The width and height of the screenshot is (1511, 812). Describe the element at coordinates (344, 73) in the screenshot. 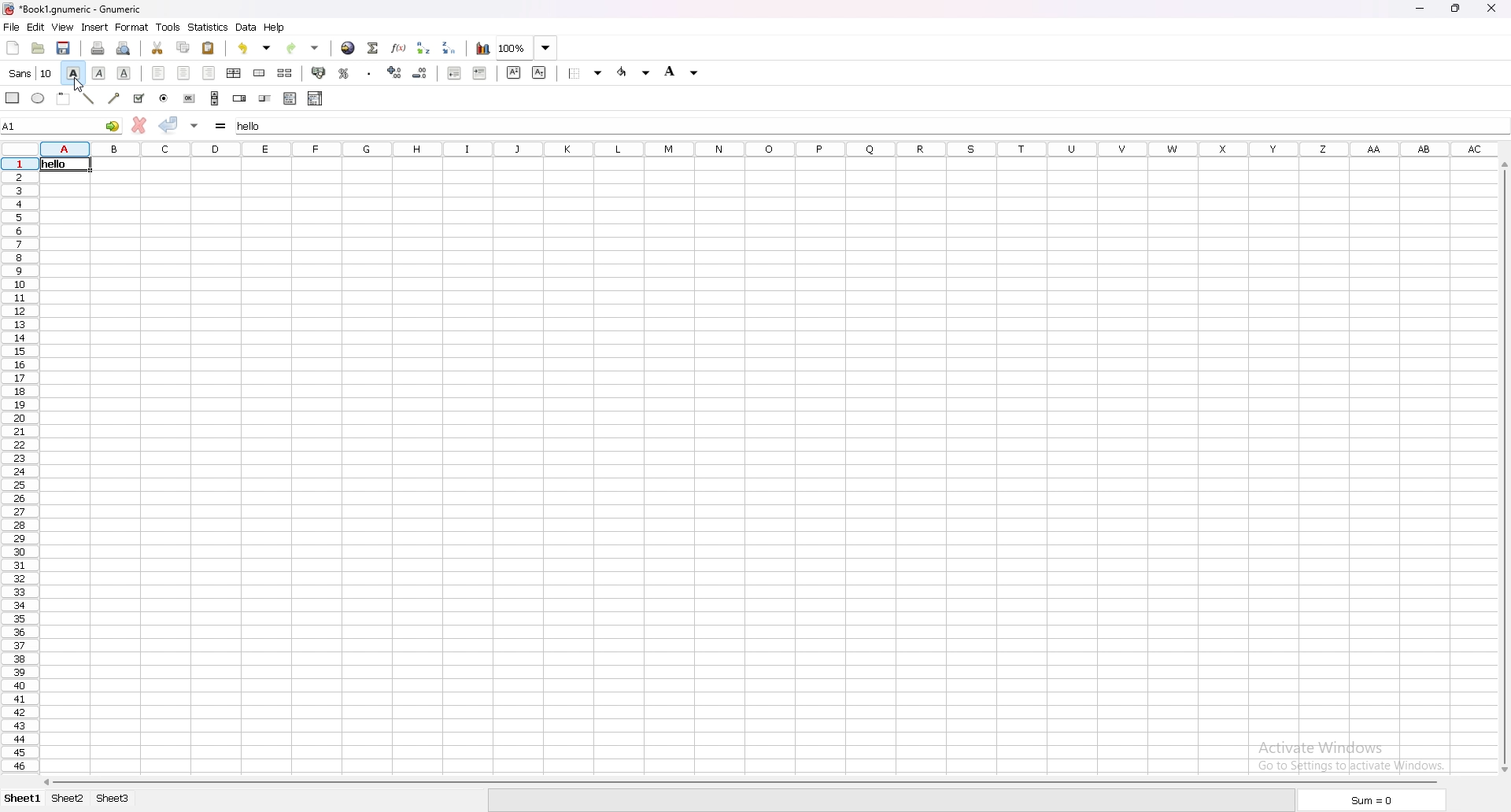

I see `percentage` at that location.